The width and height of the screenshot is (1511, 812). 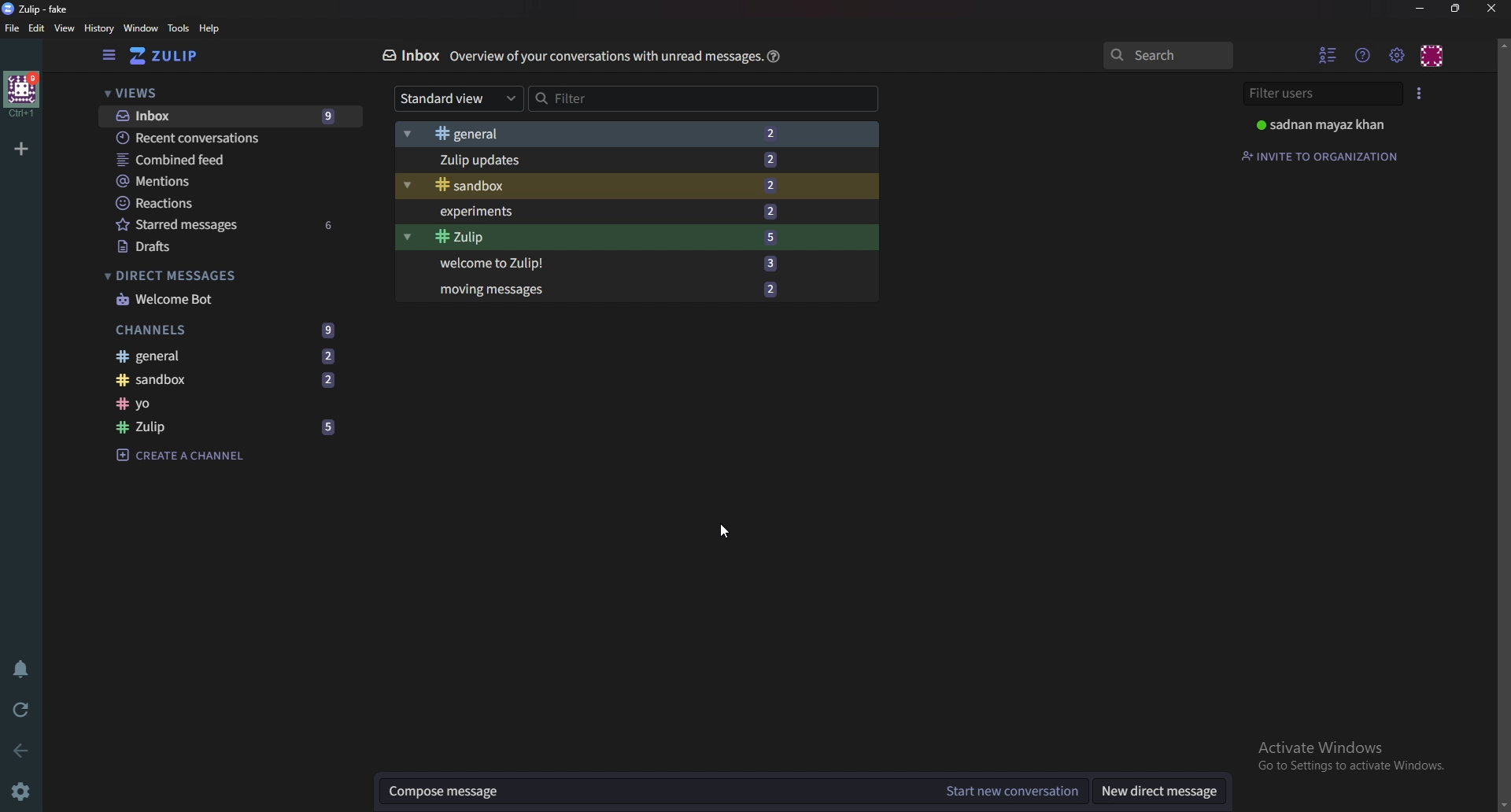 What do you see at coordinates (1154, 793) in the screenshot?
I see `New direct messages` at bounding box center [1154, 793].